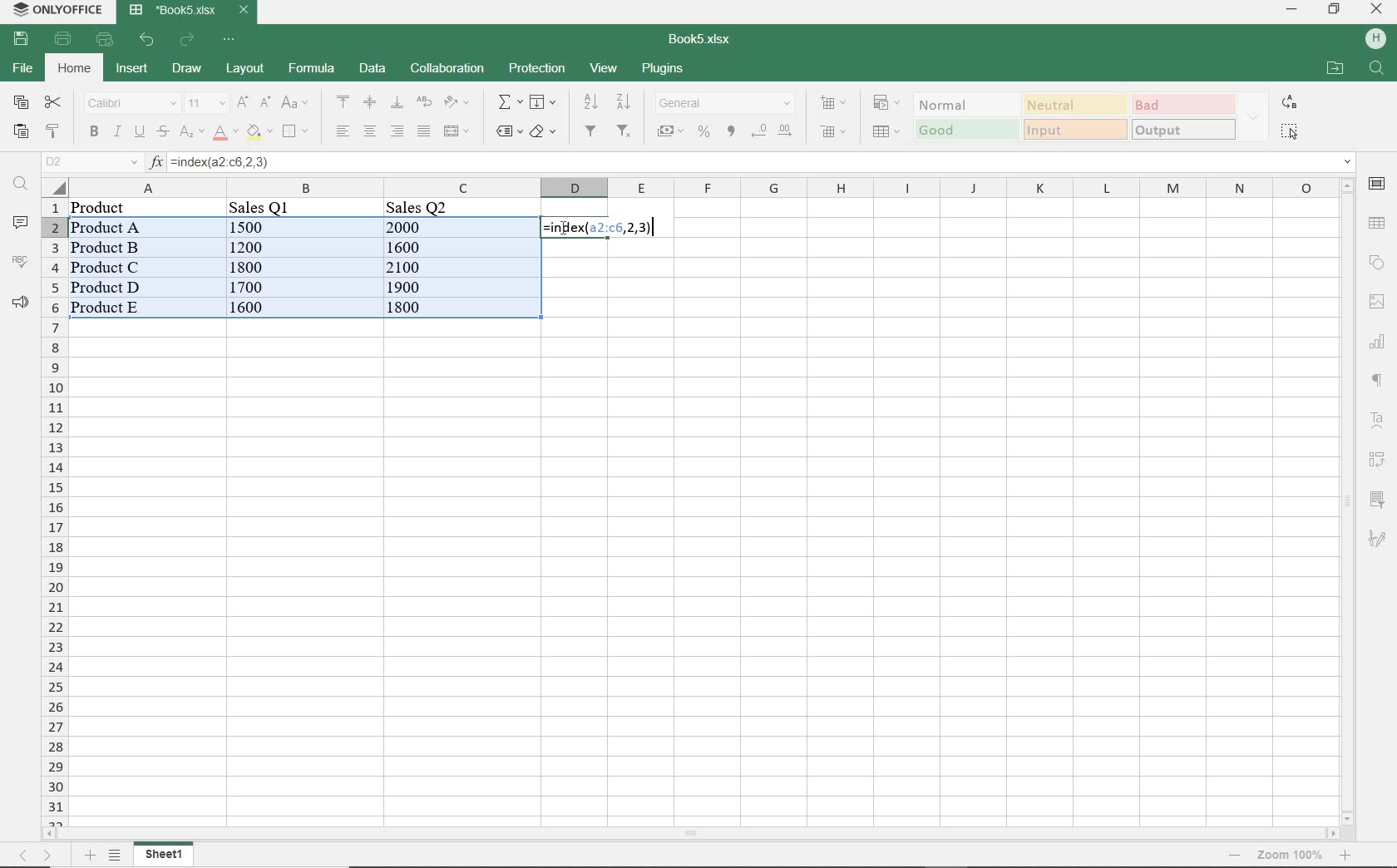 The width and height of the screenshot is (1397, 868). What do you see at coordinates (1379, 259) in the screenshot?
I see `shape` at bounding box center [1379, 259].